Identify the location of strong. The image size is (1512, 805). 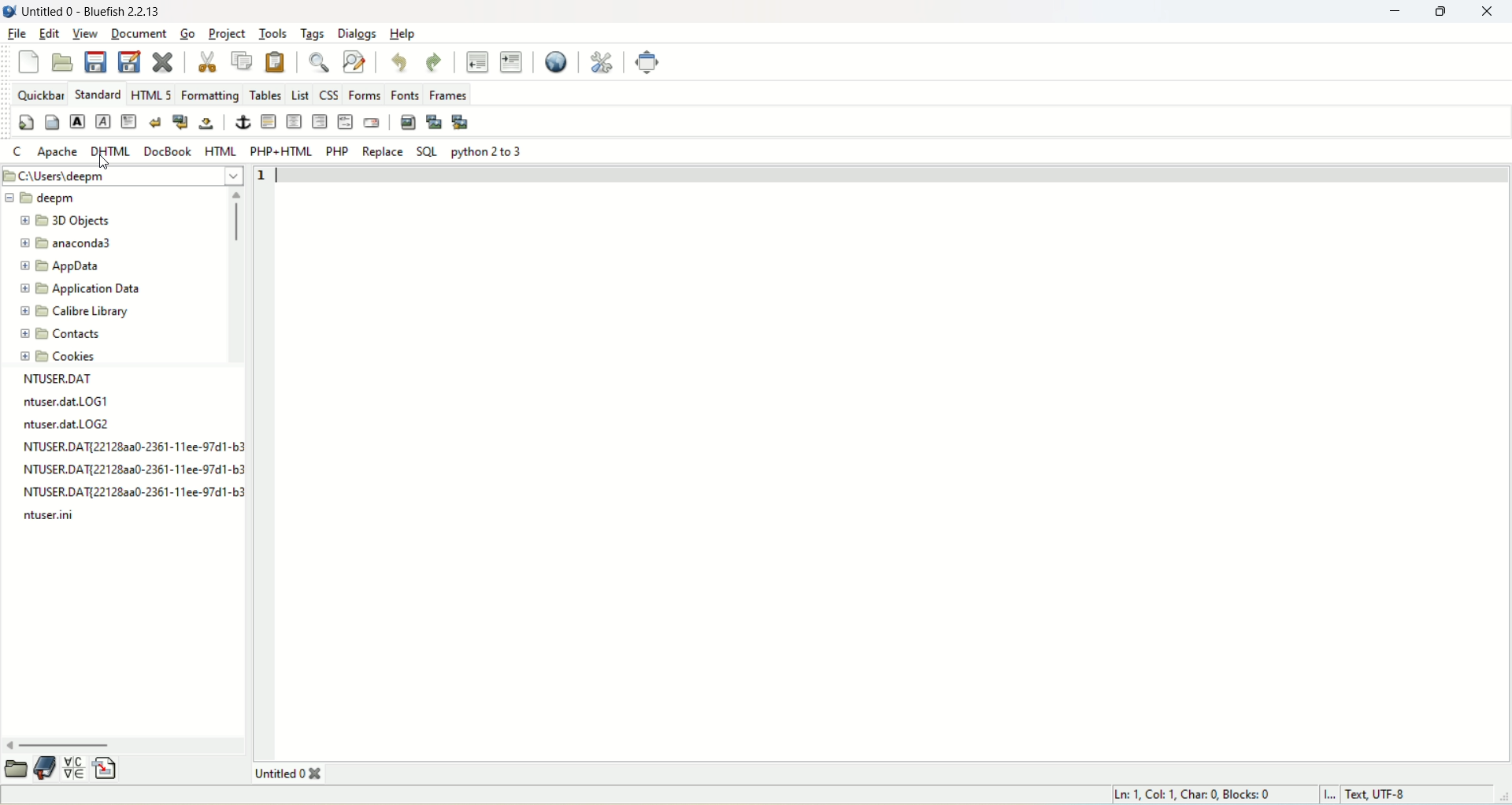
(76, 121).